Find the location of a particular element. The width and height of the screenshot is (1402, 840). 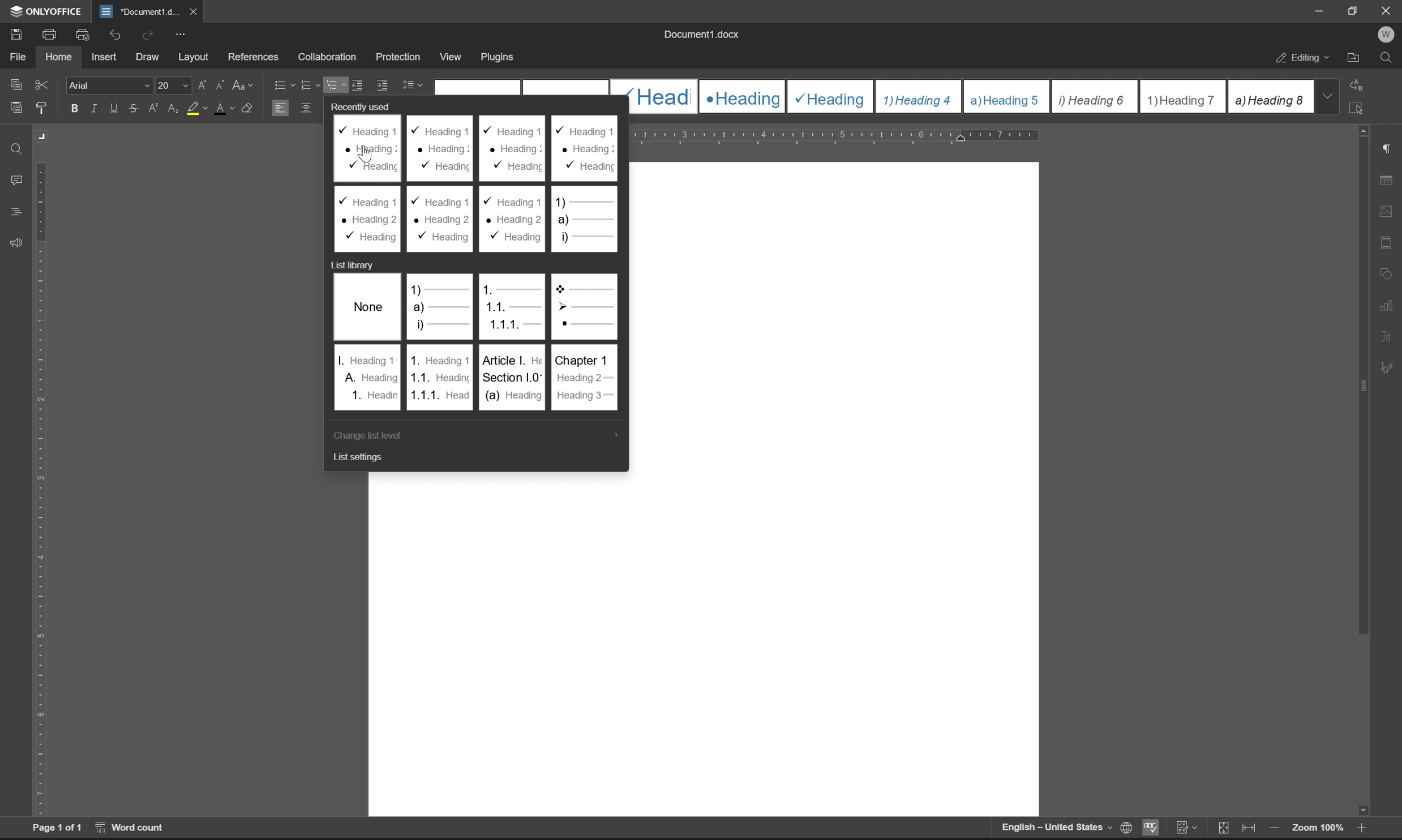

recently used is located at coordinates (478, 185).